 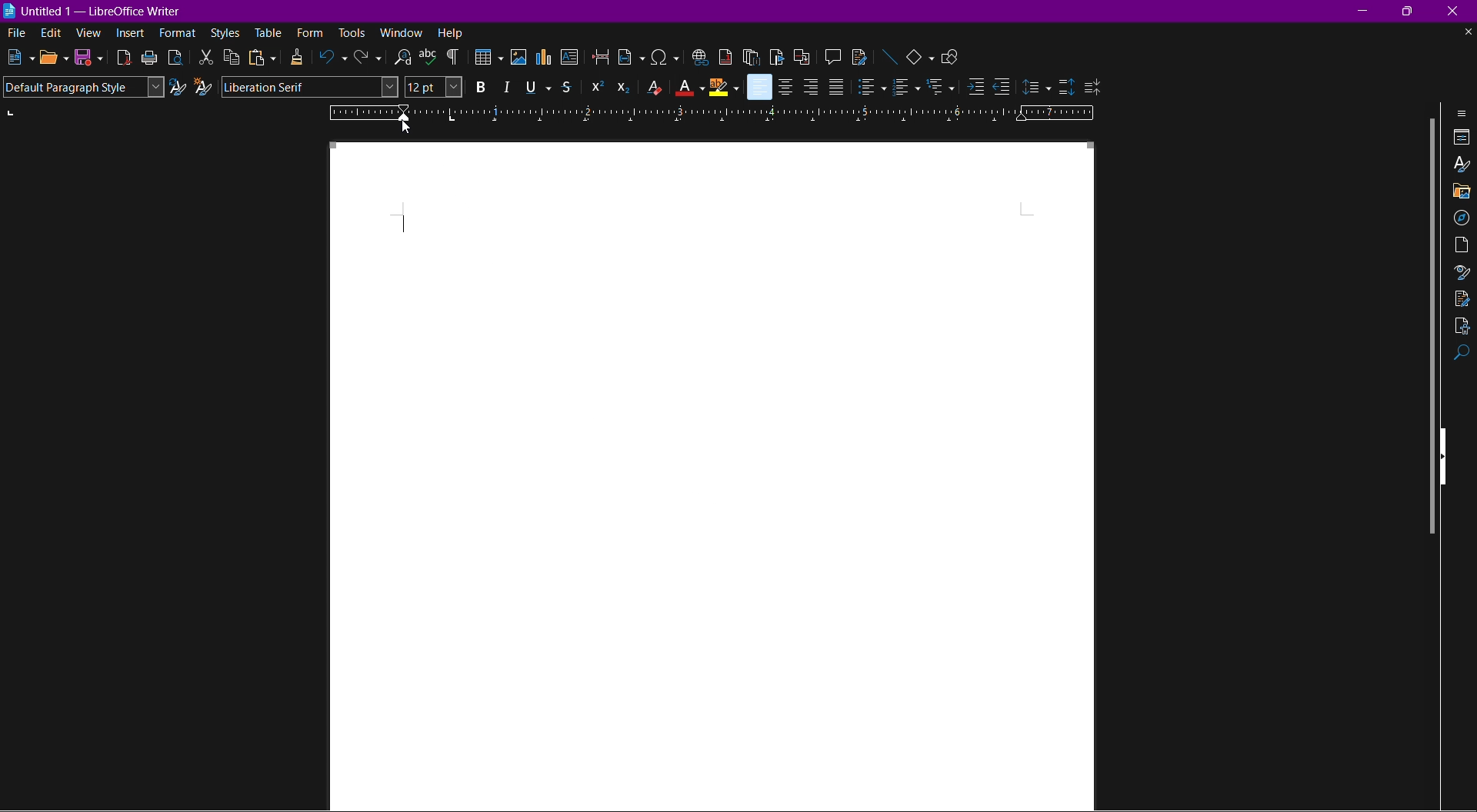 What do you see at coordinates (1462, 327) in the screenshot?
I see `Accessibility Check` at bounding box center [1462, 327].